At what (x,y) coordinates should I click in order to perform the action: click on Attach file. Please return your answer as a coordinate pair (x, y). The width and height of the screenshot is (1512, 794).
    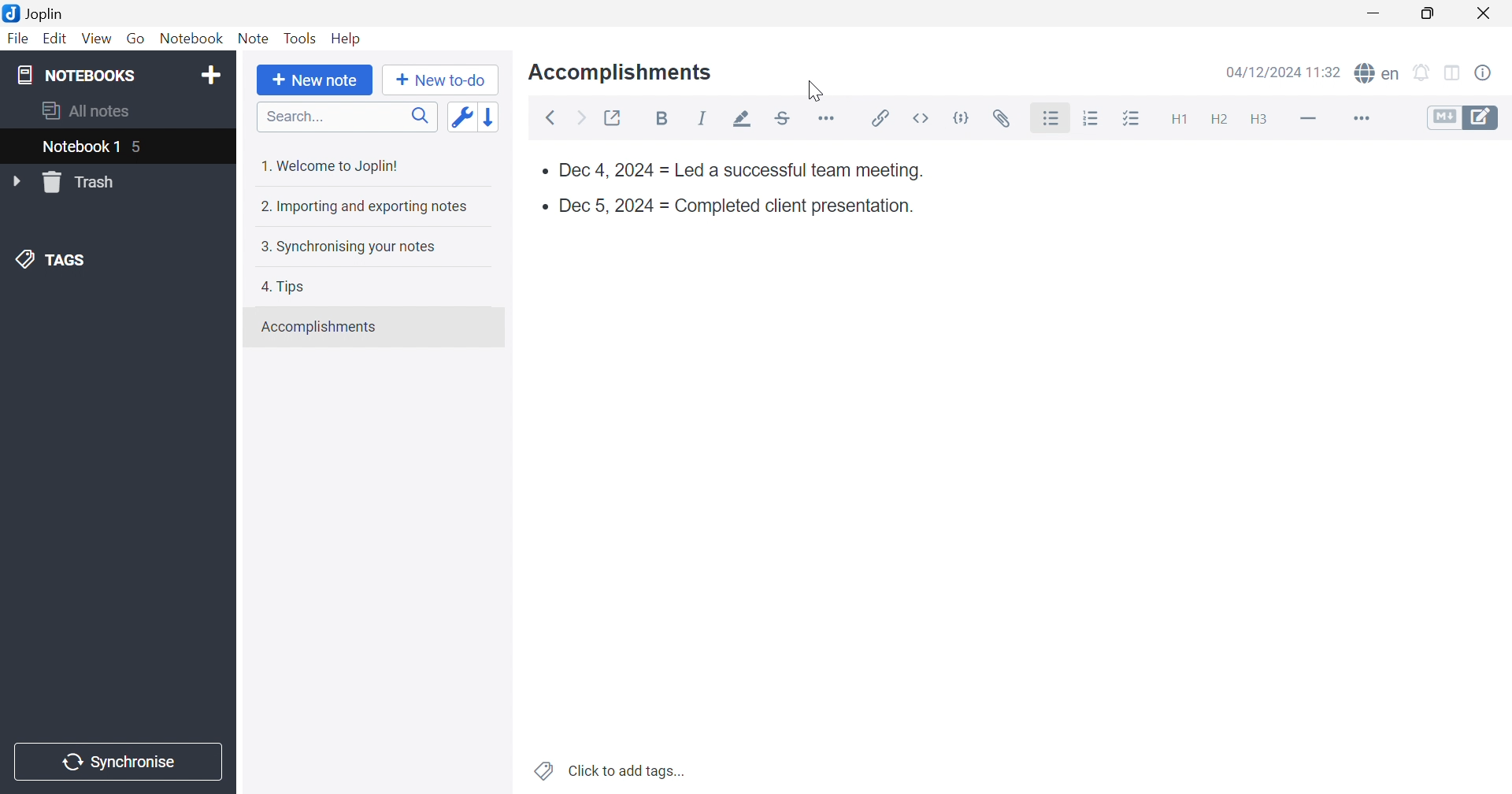
    Looking at the image, I should click on (1004, 118).